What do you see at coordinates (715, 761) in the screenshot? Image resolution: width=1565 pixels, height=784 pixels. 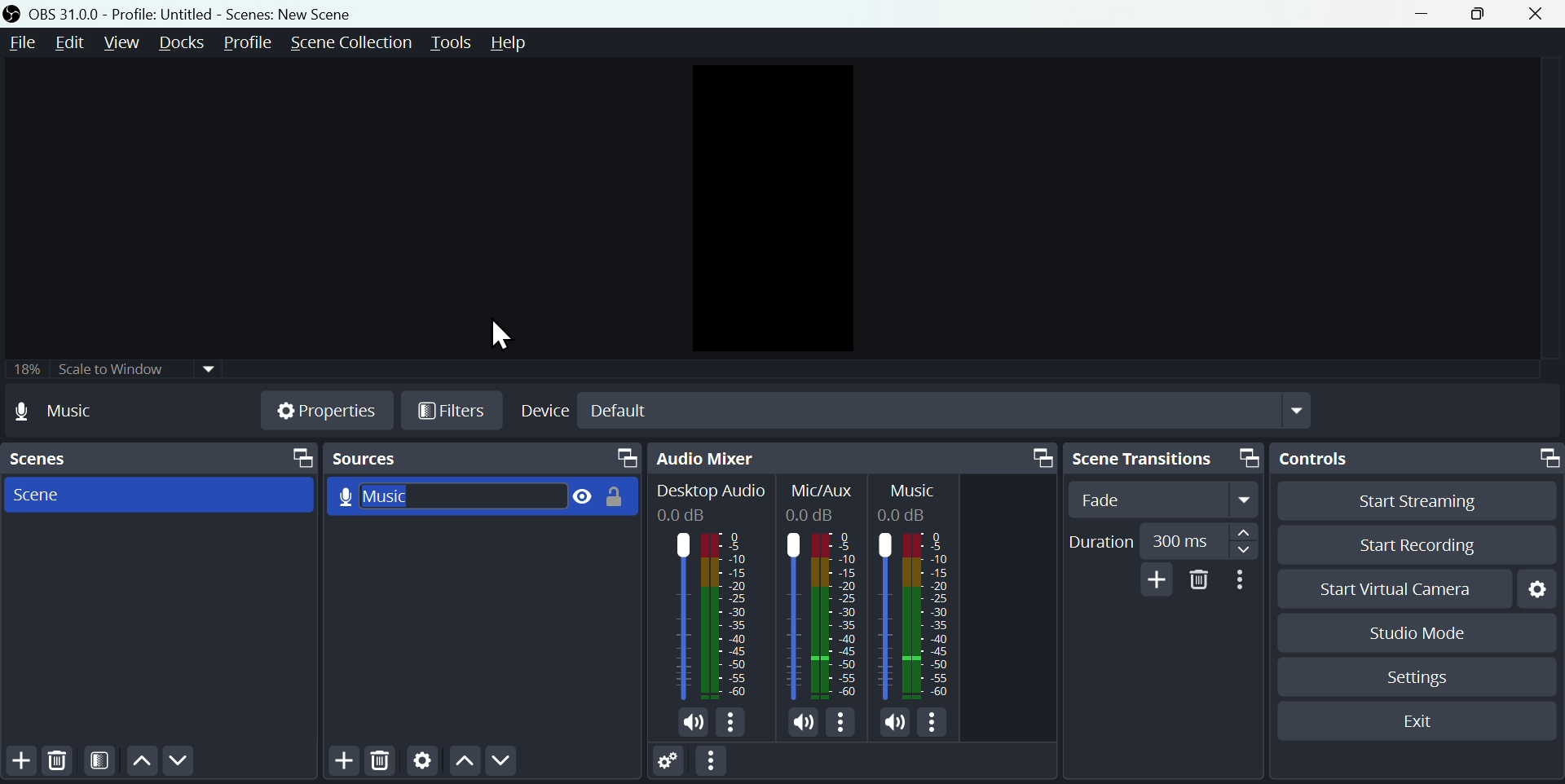 I see `More options` at bounding box center [715, 761].